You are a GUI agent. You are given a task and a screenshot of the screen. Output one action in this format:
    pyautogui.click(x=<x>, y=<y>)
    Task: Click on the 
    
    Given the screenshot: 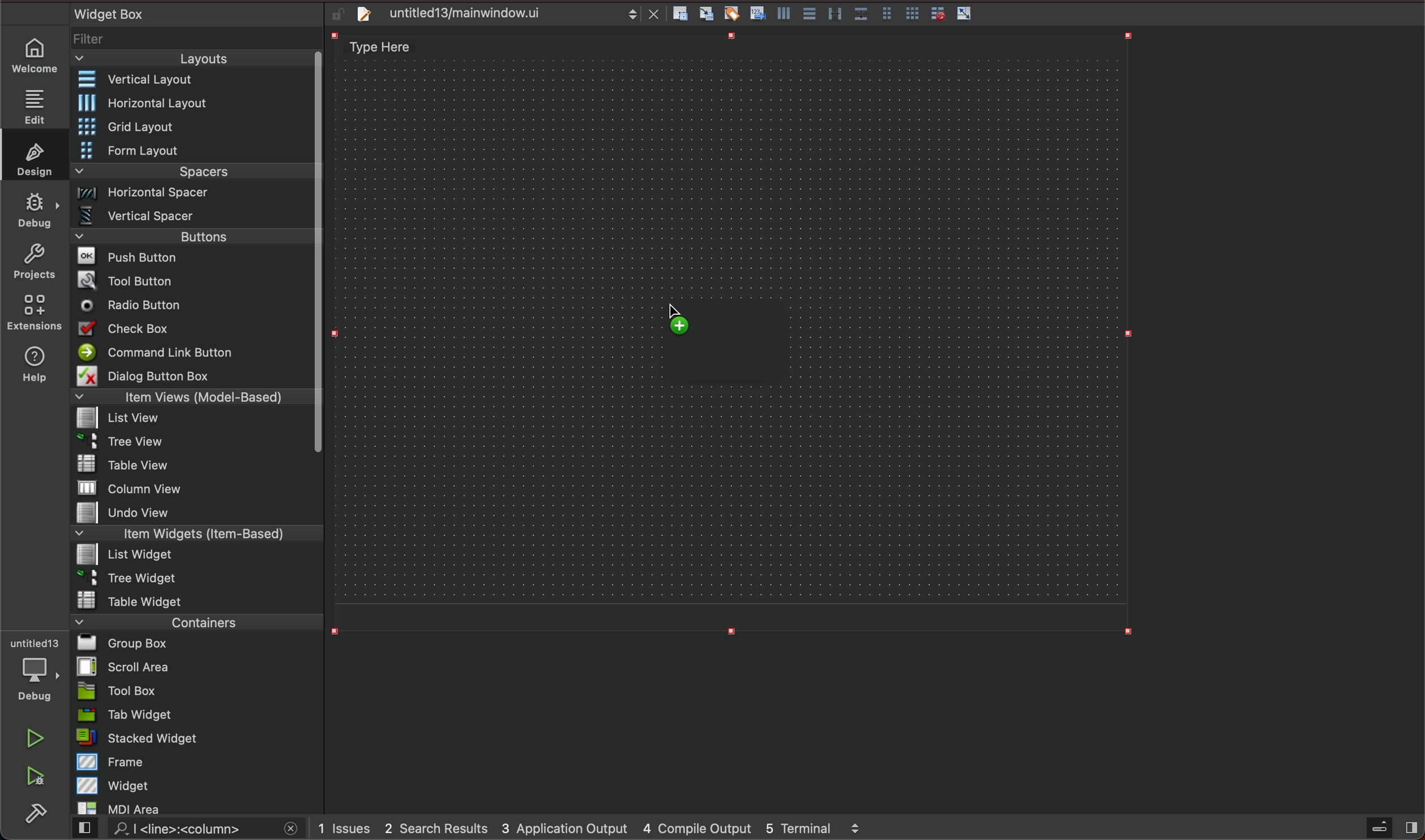 What is the action you would take?
    pyautogui.click(x=972, y=15)
    